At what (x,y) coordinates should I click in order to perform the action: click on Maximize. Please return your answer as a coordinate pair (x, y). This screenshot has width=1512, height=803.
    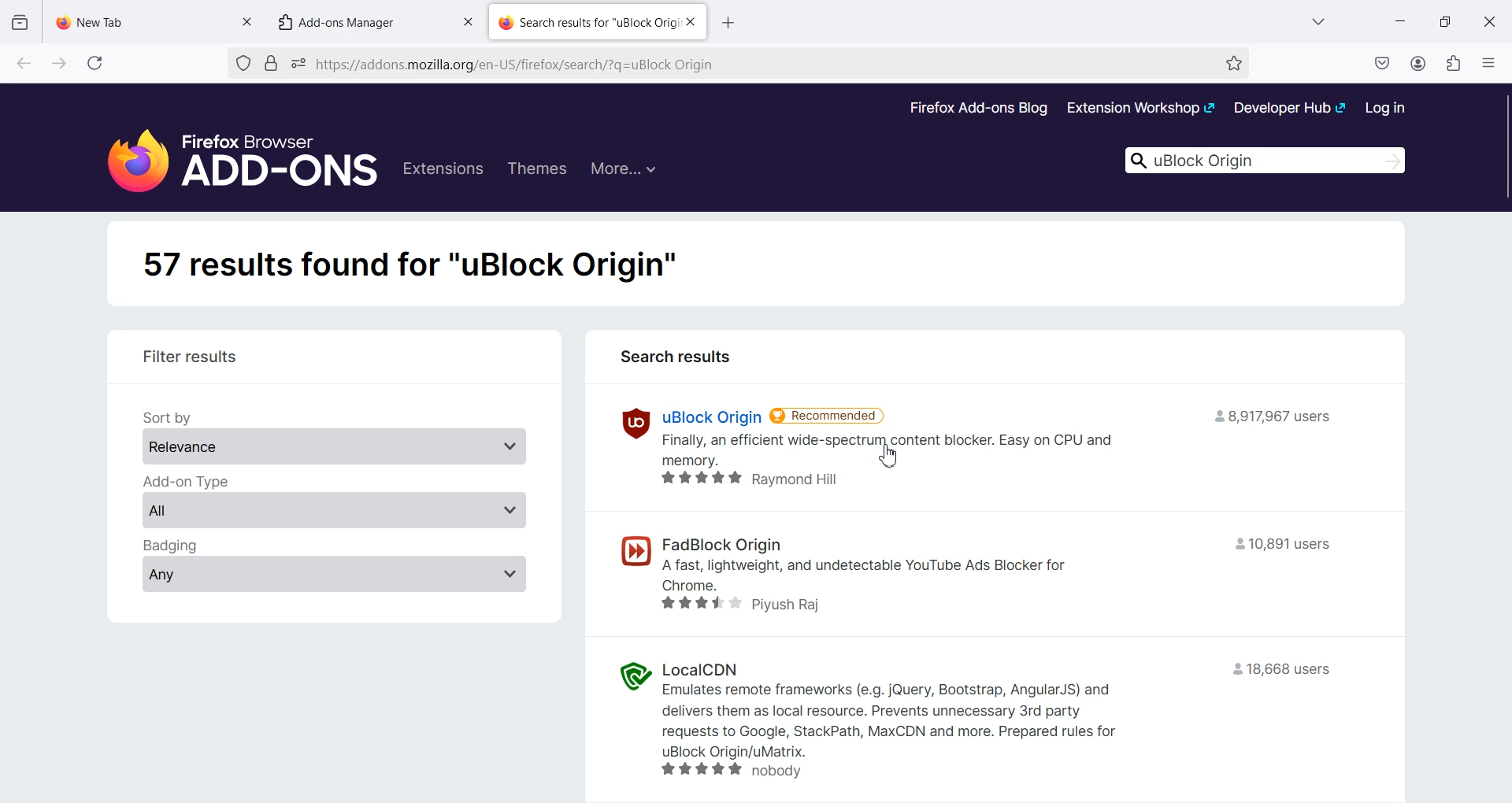
    Looking at the image, I should click on (1445, 20).